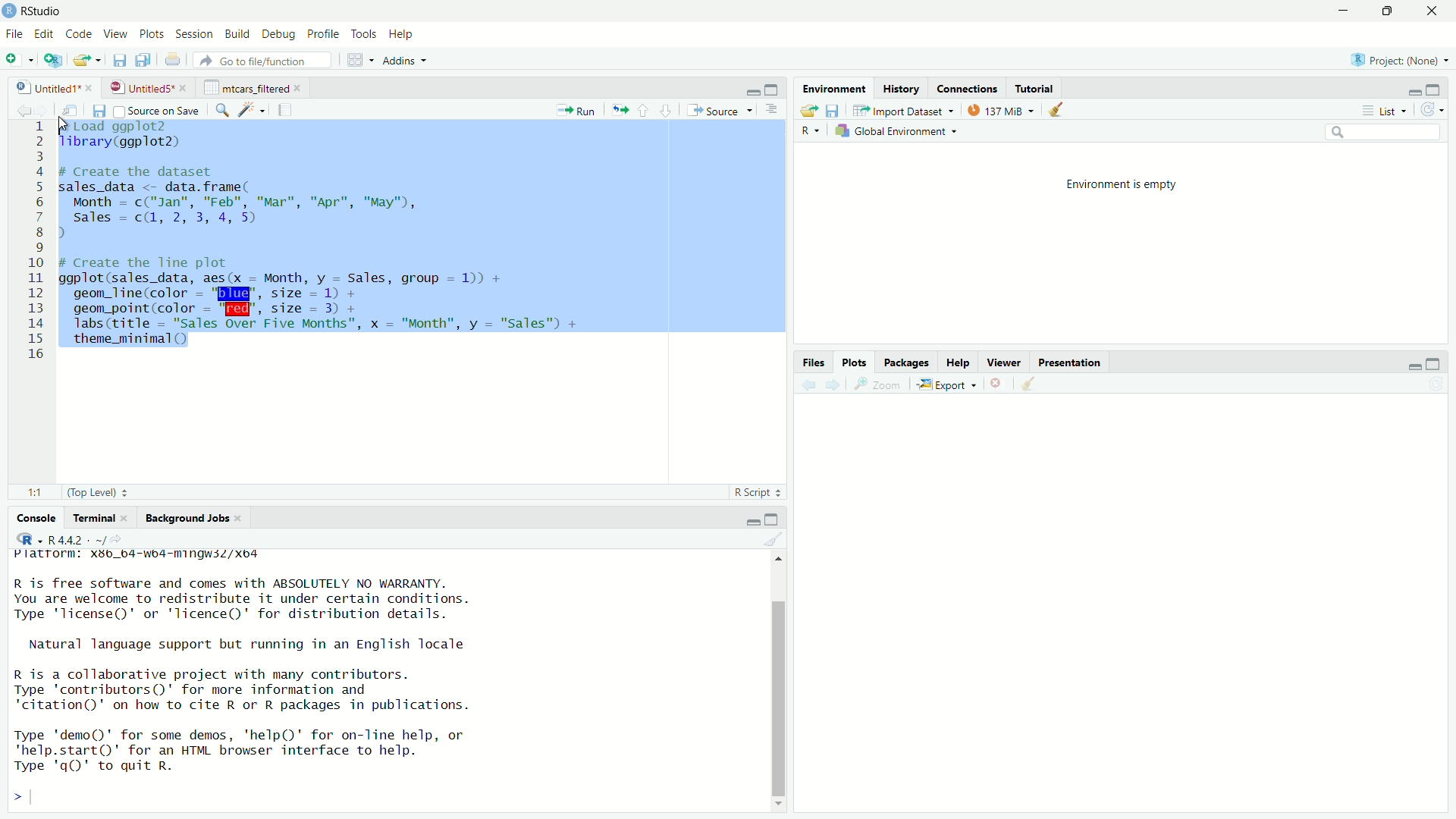 This screenshot has height=819, width=1456. Describe the element at coordinates (48, 111) in the screenshot. I see `forward` at that location.